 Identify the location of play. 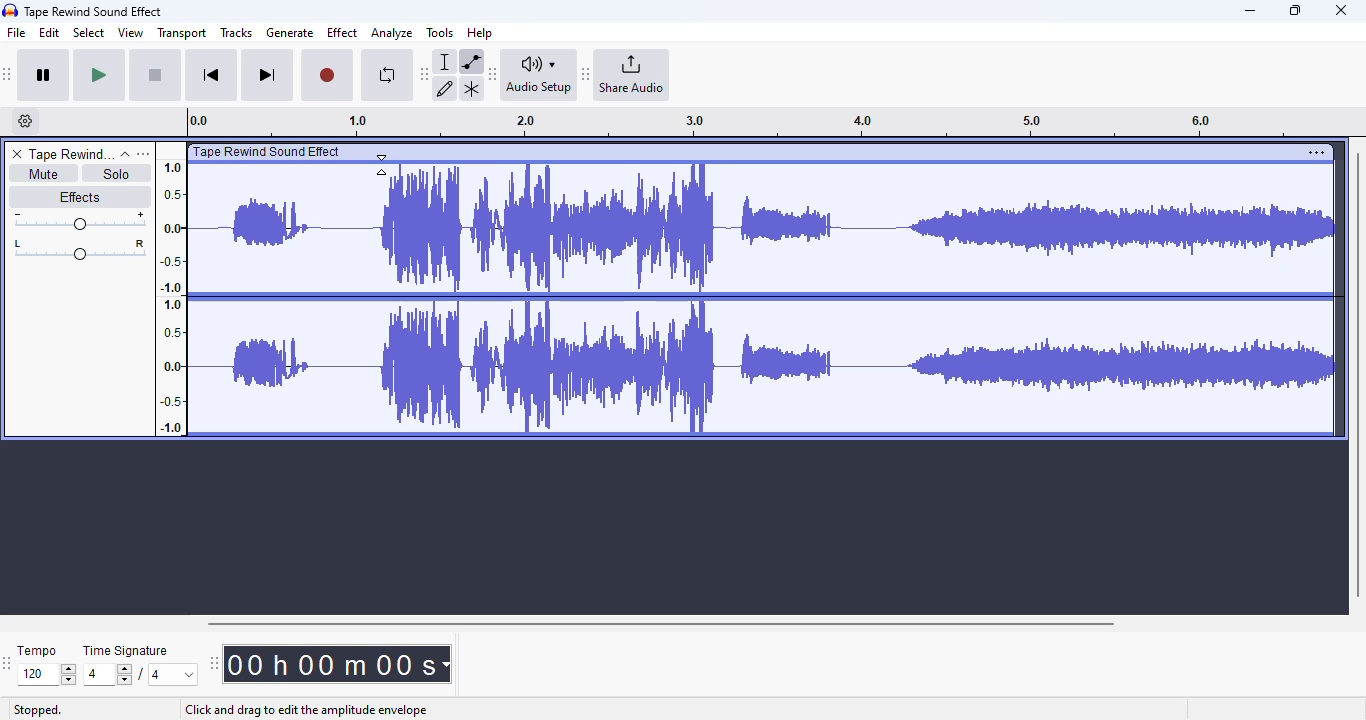
(99, 76).